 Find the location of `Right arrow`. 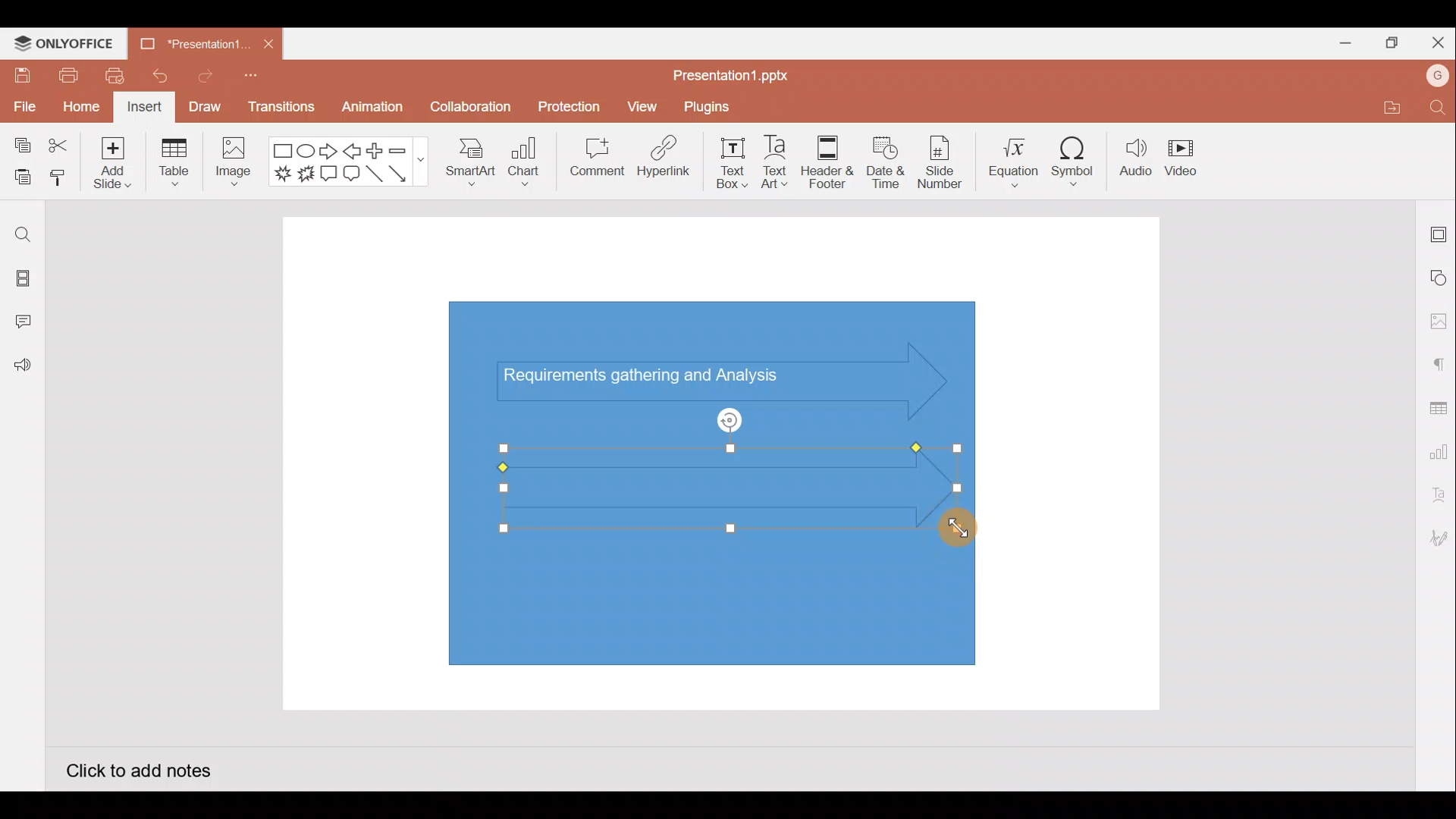

Right arrow is located at coordinates (328, 152).